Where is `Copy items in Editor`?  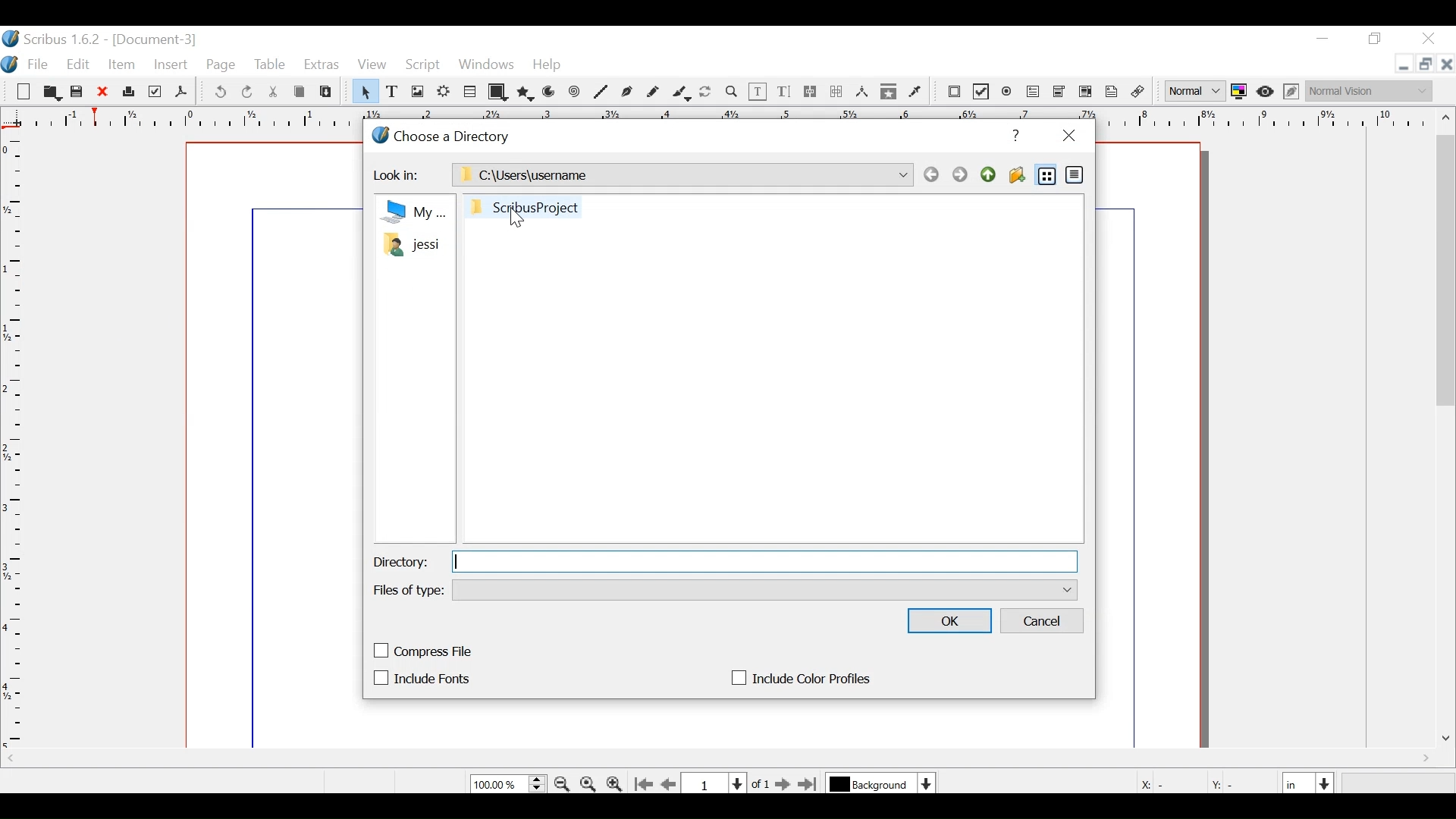 Copy items in Editor is located at coordinates (889, 93).